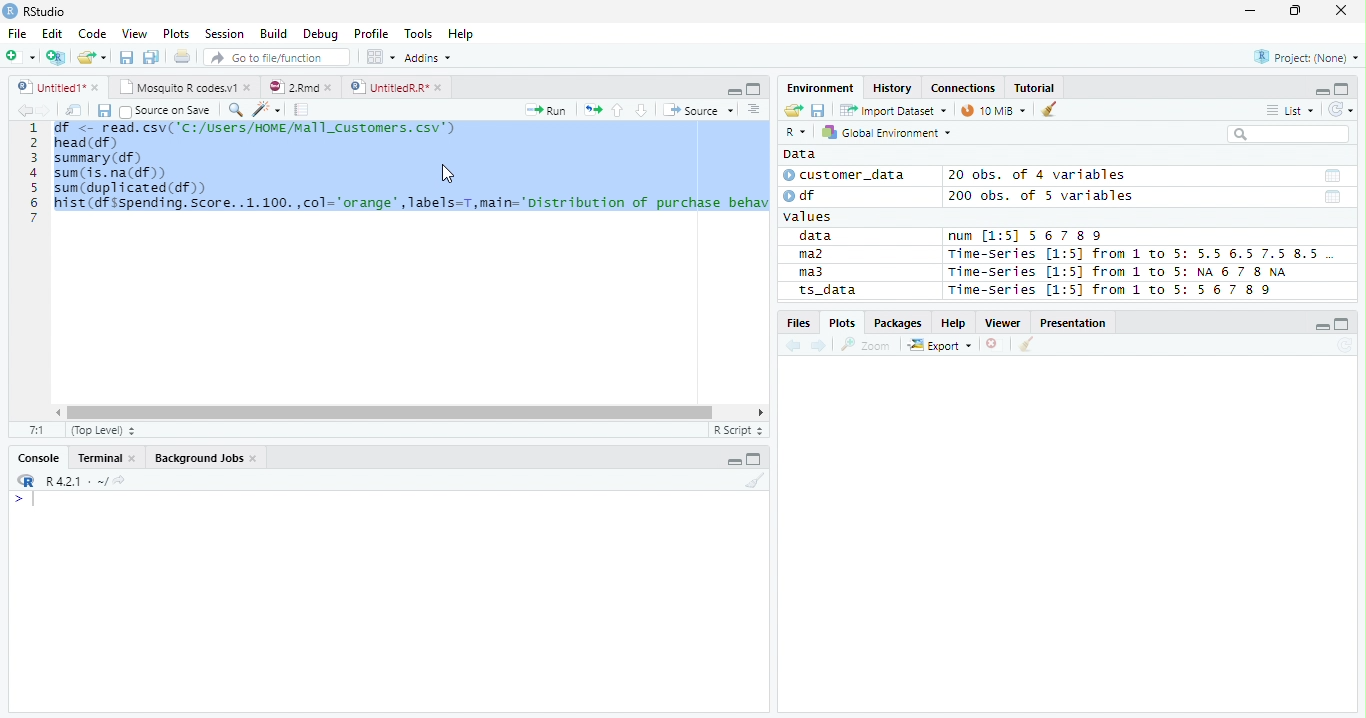 The width and height of the screenshot is (1366, 718). I want to click on Delete, so click(995, 345).